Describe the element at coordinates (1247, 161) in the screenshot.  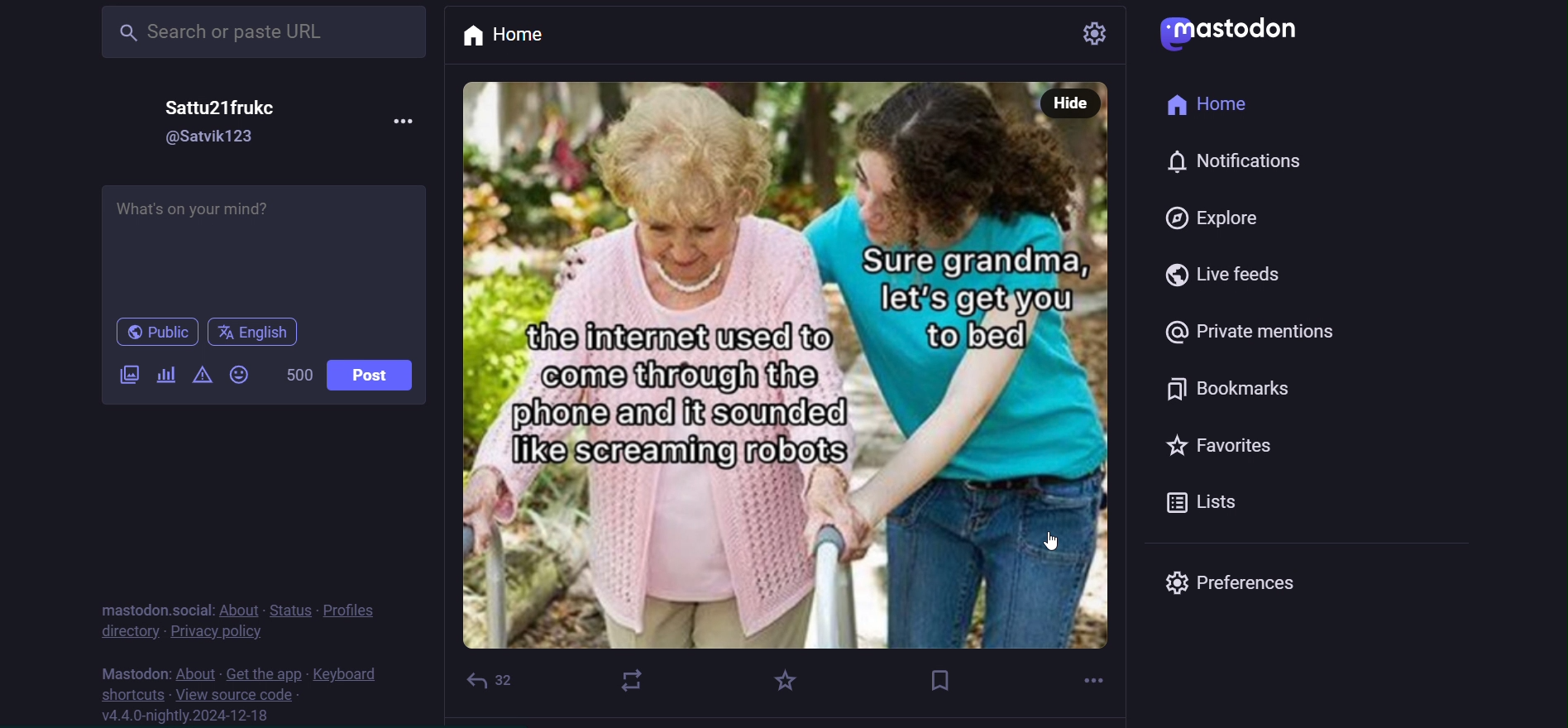
I see `notification` at that location.